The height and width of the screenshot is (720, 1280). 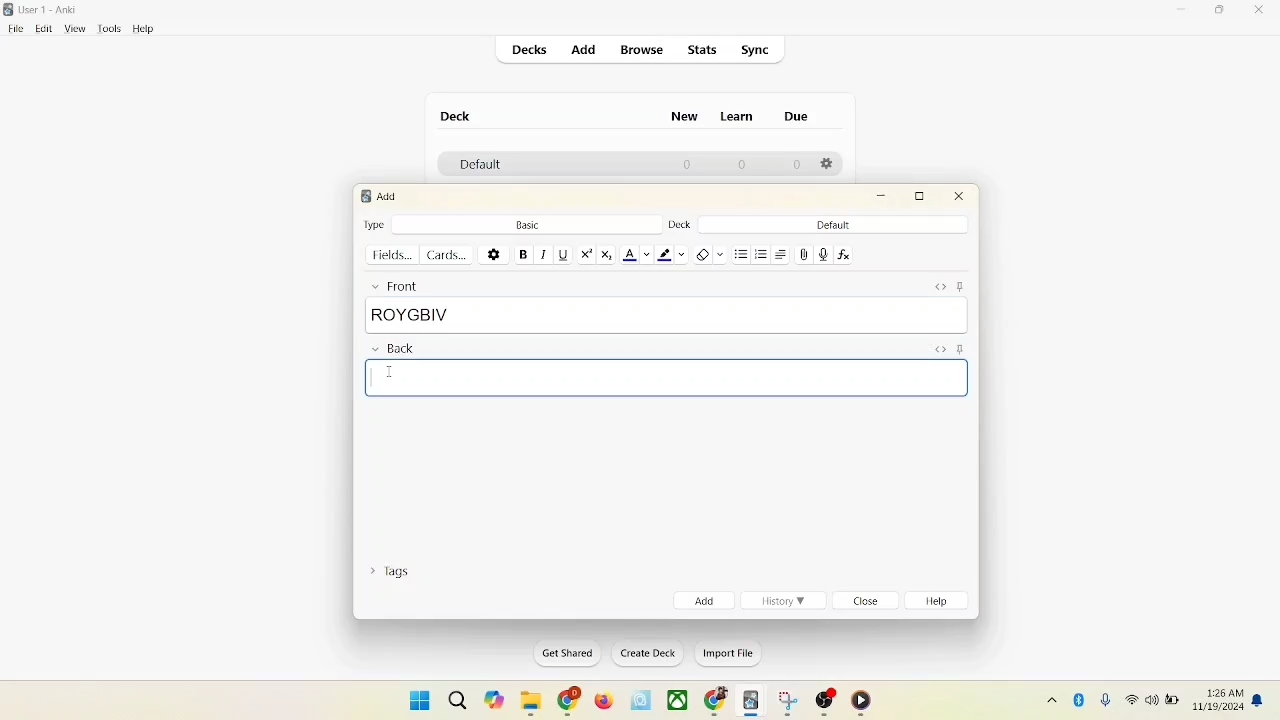 What do you see at coordinates (923, 196) in the screenshot?
I see `maximum` at bounding box center [923, 196].